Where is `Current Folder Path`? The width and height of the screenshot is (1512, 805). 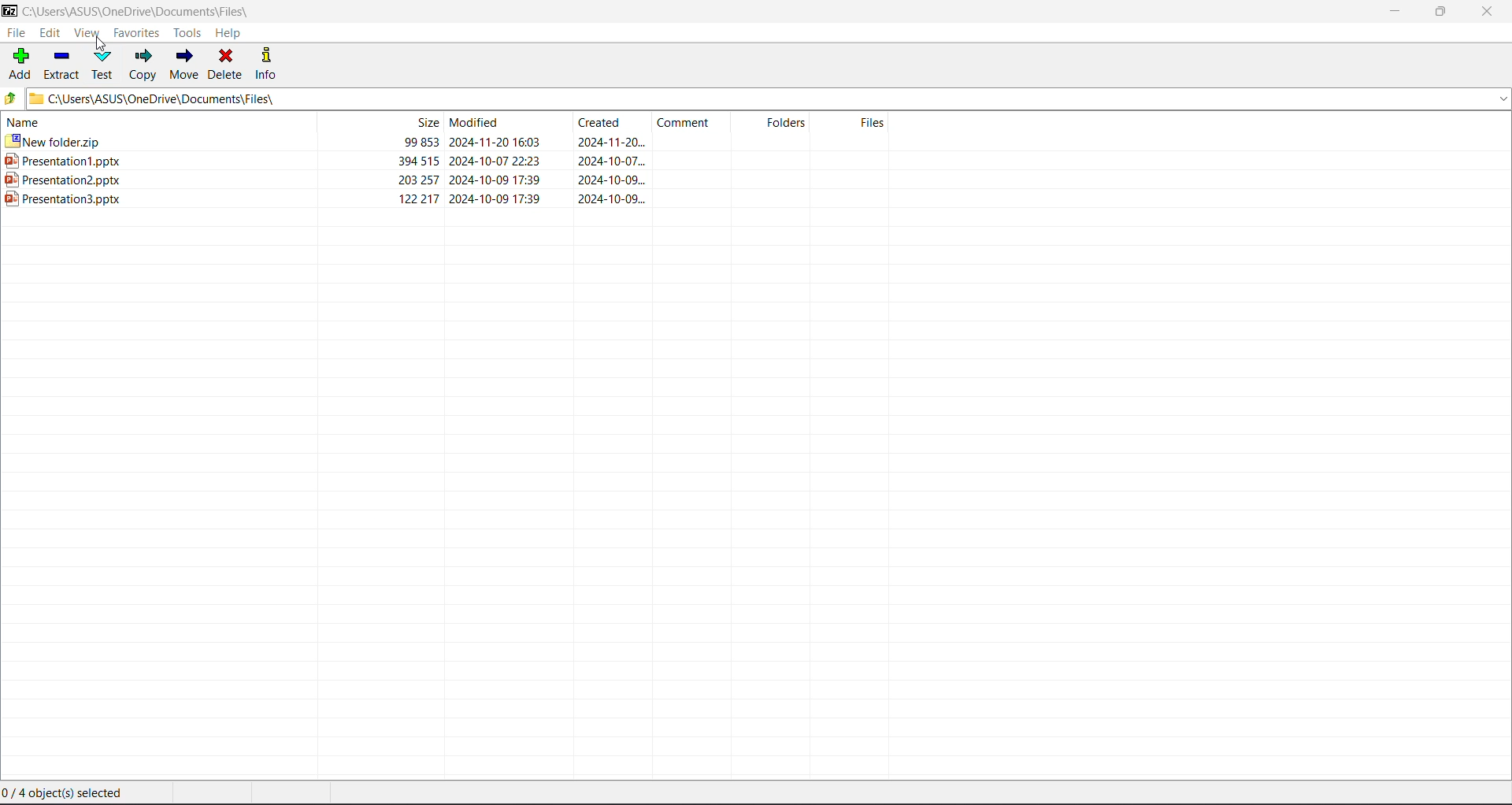 Current Folder Path is located at coordinates (140, 9).